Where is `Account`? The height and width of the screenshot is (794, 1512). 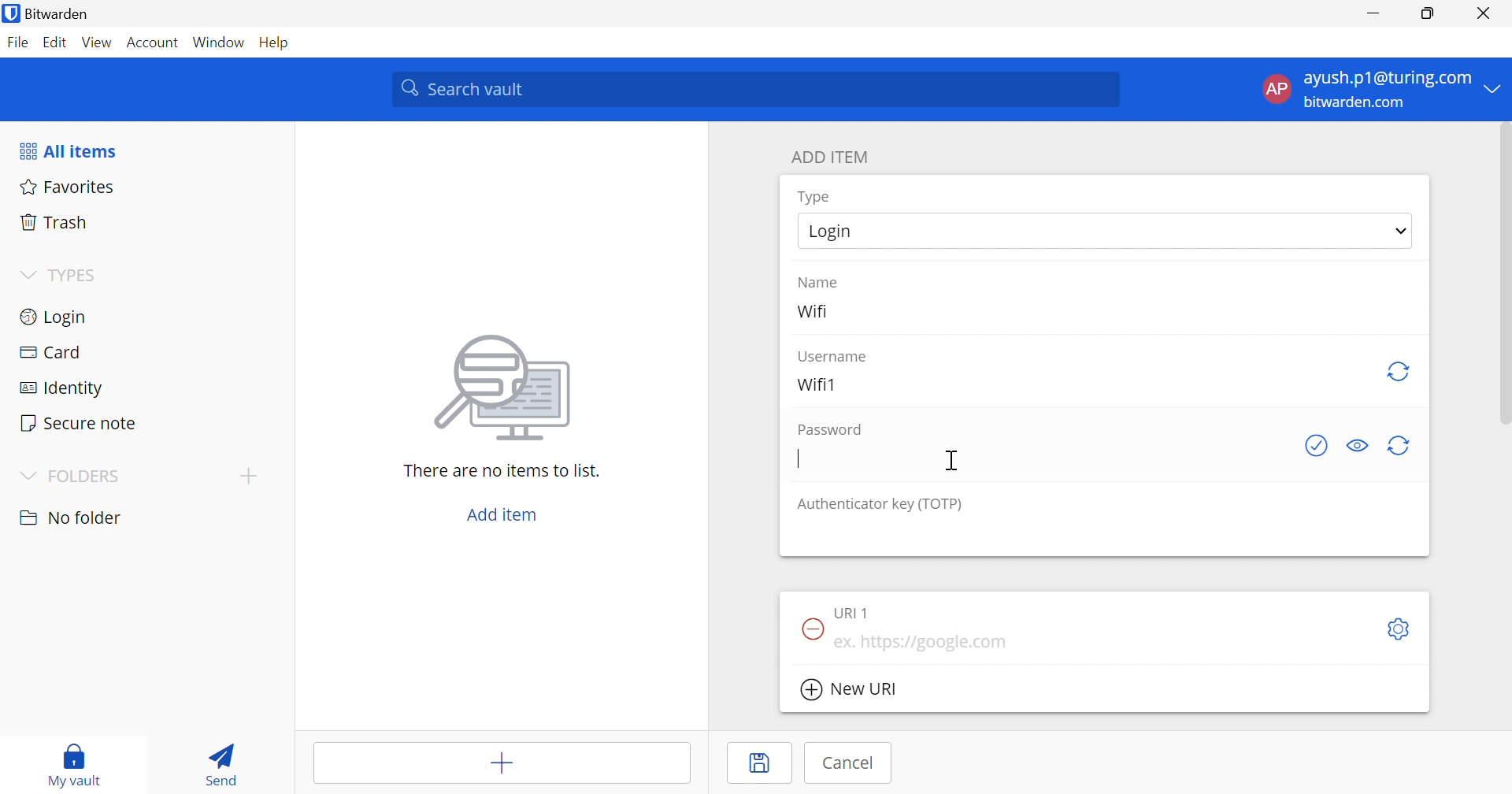
Account is located at coordinates (154, 46).